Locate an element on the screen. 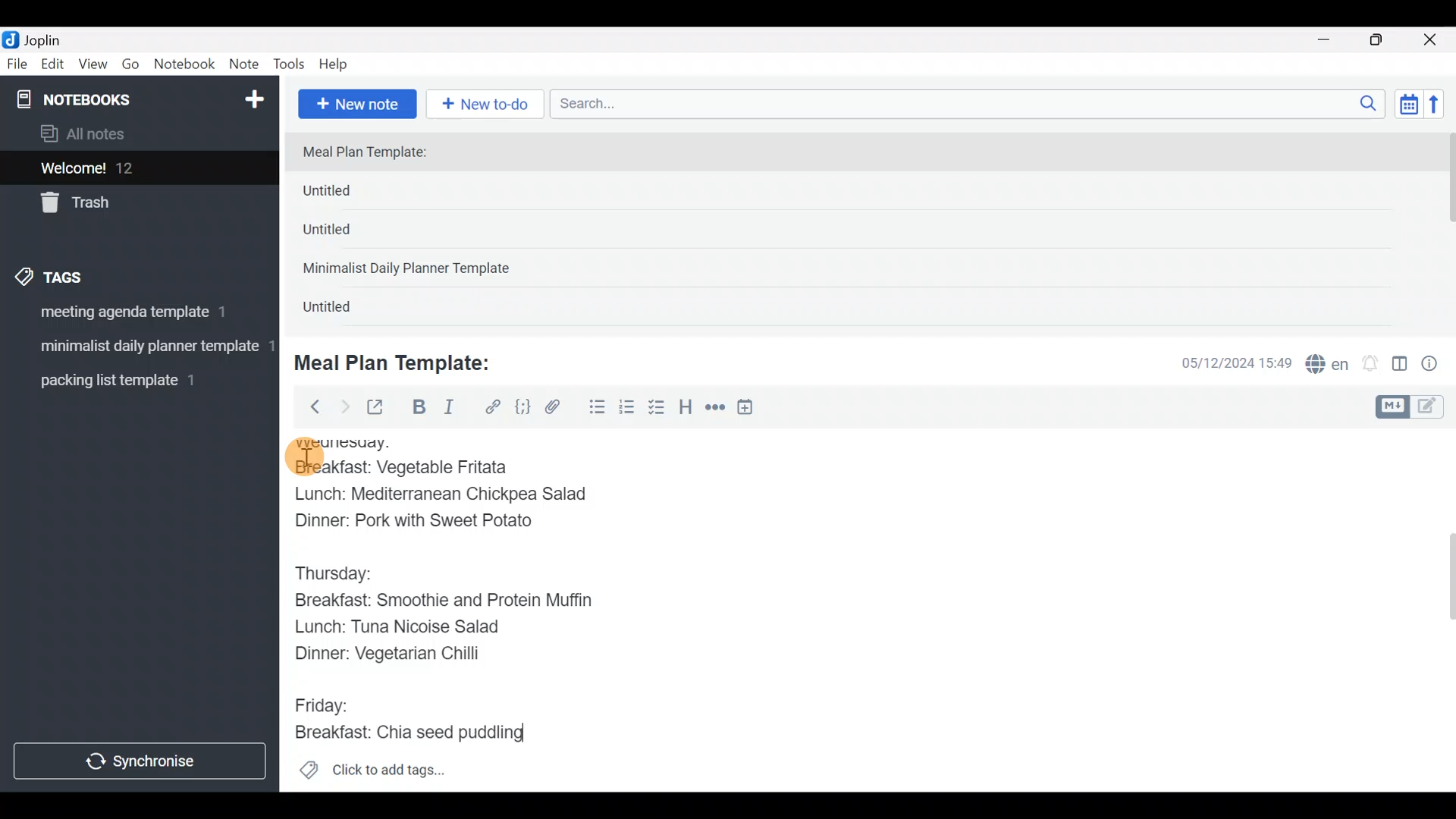 The width and height of the screenshot is (1456, 819). Go is located at coordinates (130, 67).